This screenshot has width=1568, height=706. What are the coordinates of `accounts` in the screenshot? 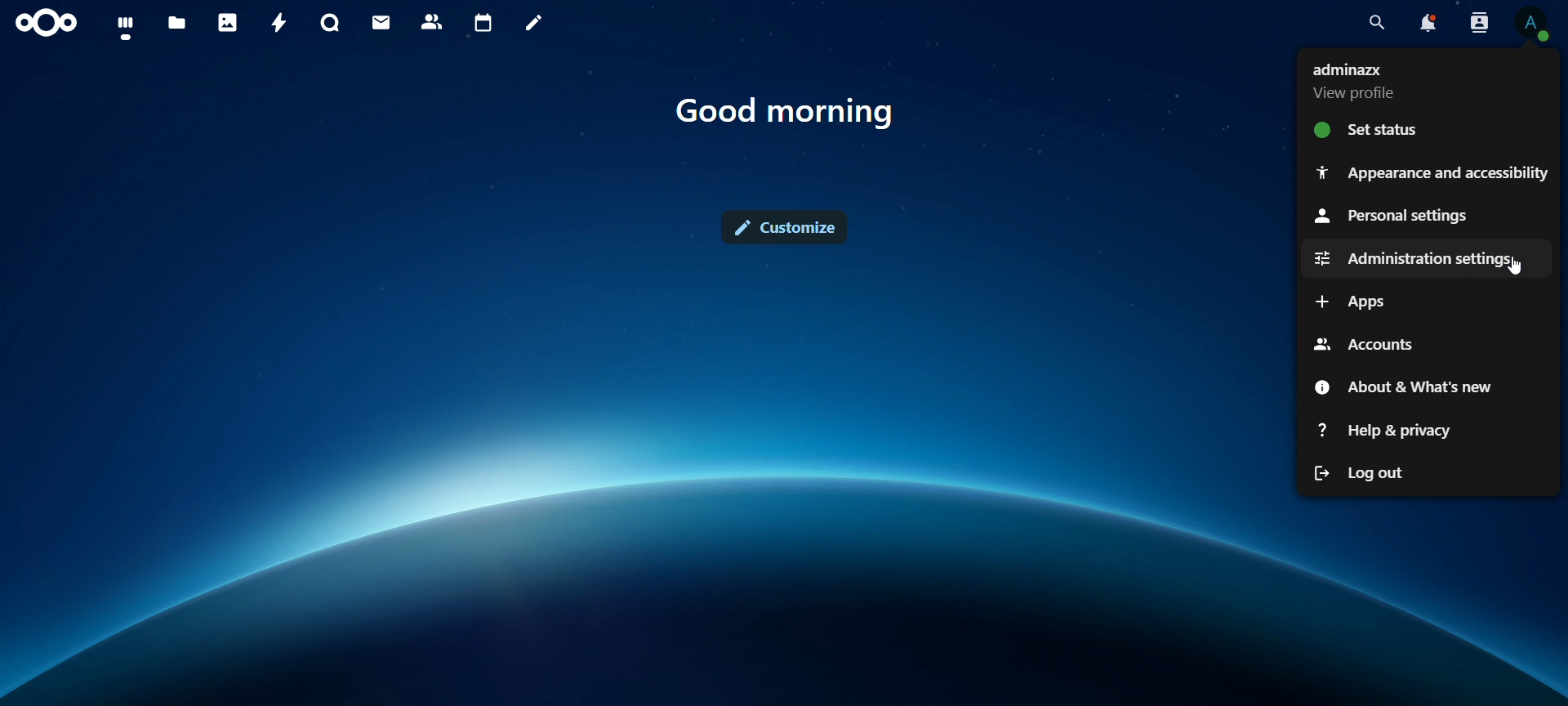 It's located at (1365, 344).